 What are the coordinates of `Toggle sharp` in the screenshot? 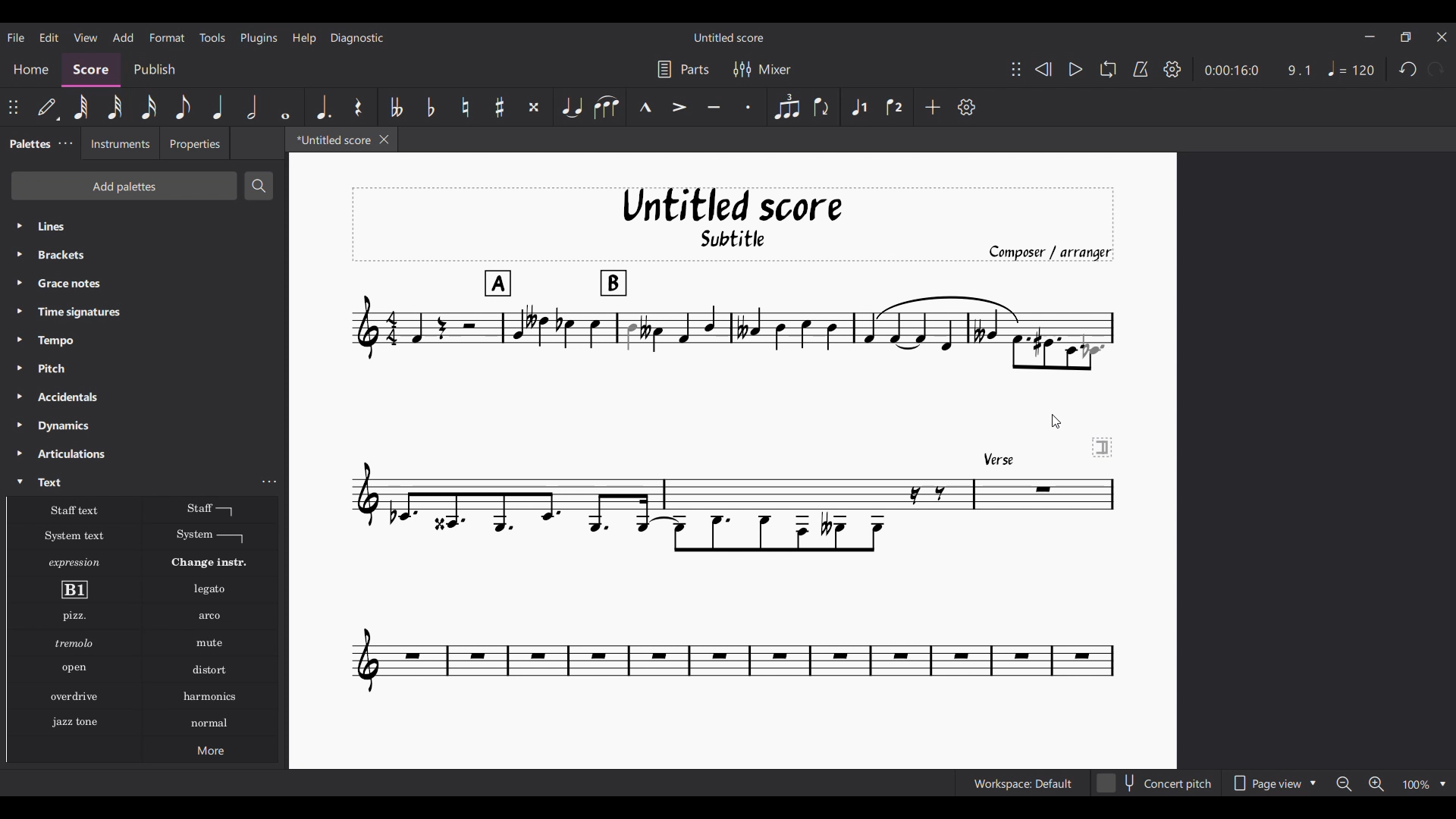 It's located at (499, 107).